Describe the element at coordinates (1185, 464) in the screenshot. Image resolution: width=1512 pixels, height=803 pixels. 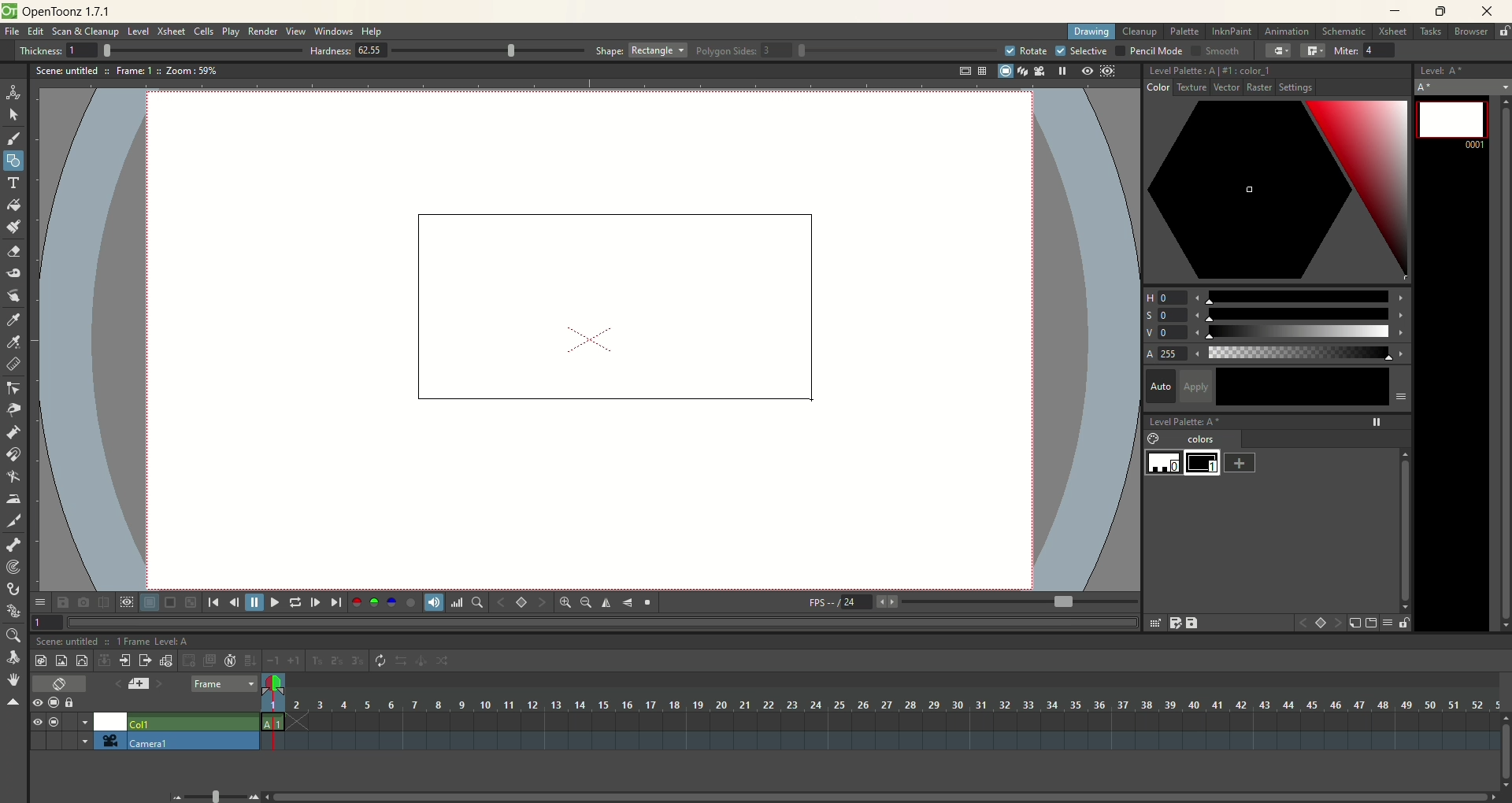
I see `color 0 and 1` at that location.